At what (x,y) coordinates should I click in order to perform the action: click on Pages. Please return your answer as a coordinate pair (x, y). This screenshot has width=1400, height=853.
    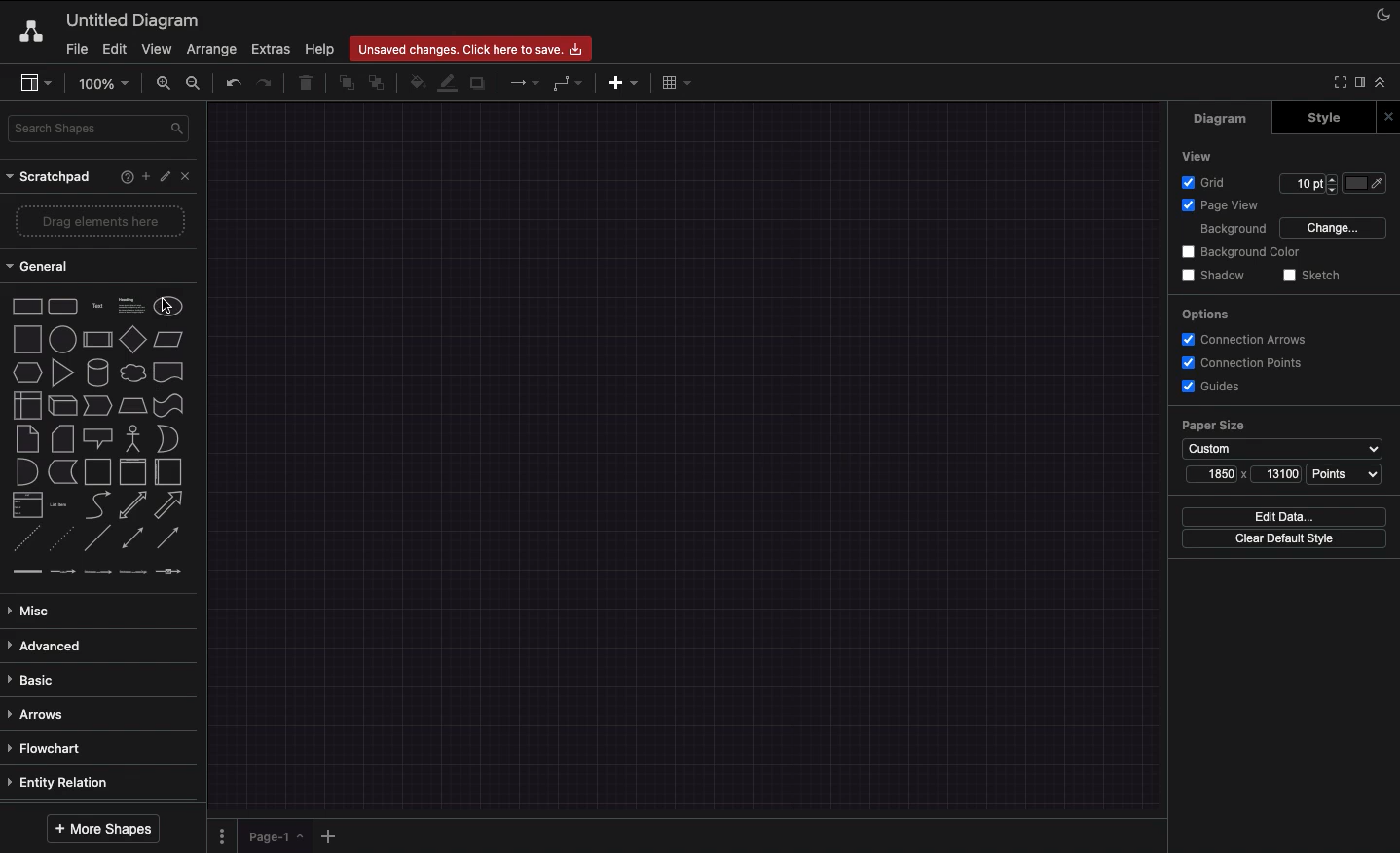
    Looking at the image, I should click on (218, 836).